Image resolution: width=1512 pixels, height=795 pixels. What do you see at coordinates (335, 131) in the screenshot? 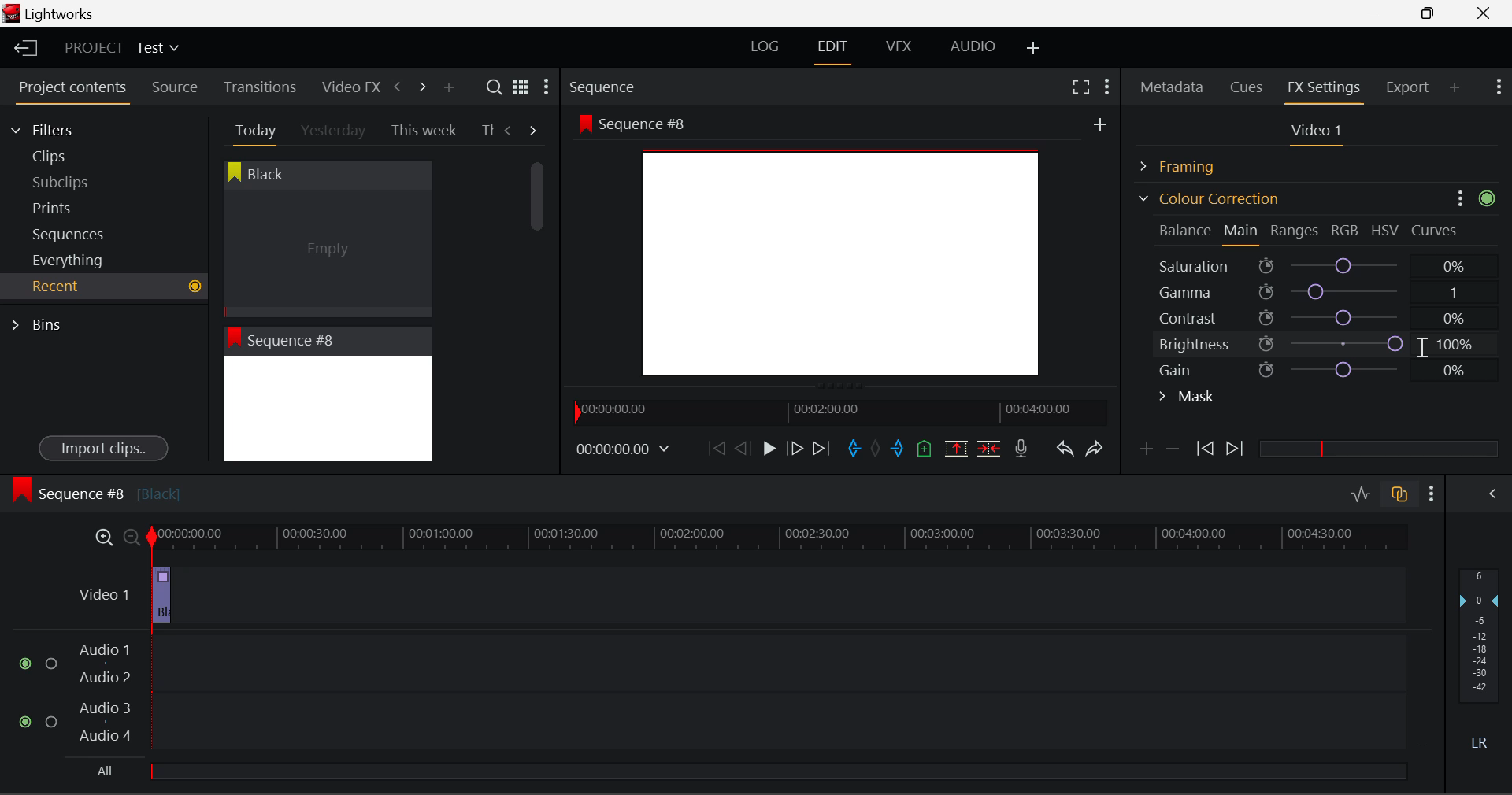
I see `Yesterday Tab` at bounding box center [335, 131].